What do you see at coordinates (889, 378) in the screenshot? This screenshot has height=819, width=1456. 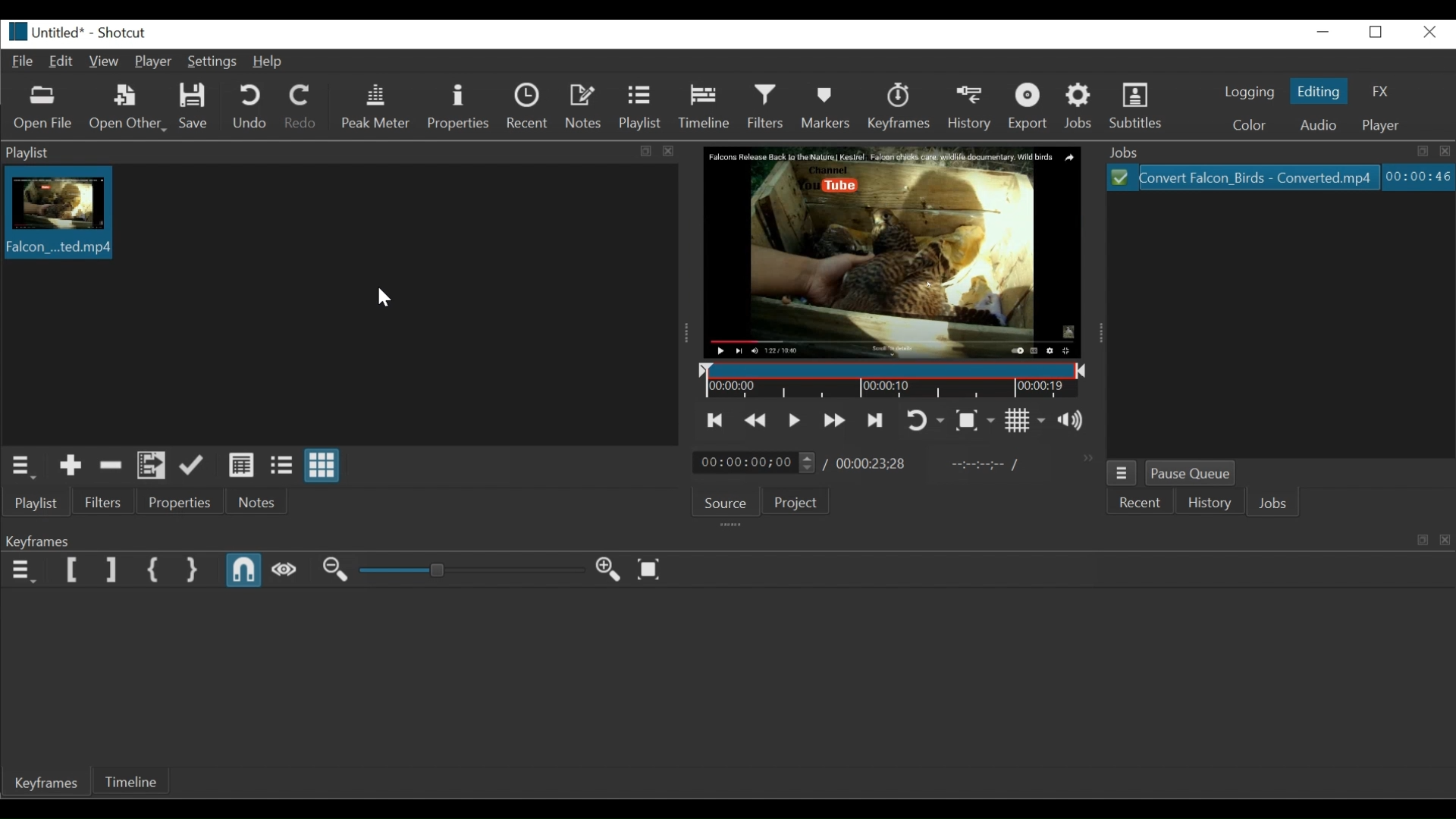 I see `Timeline` at bounding box center [889, 378].